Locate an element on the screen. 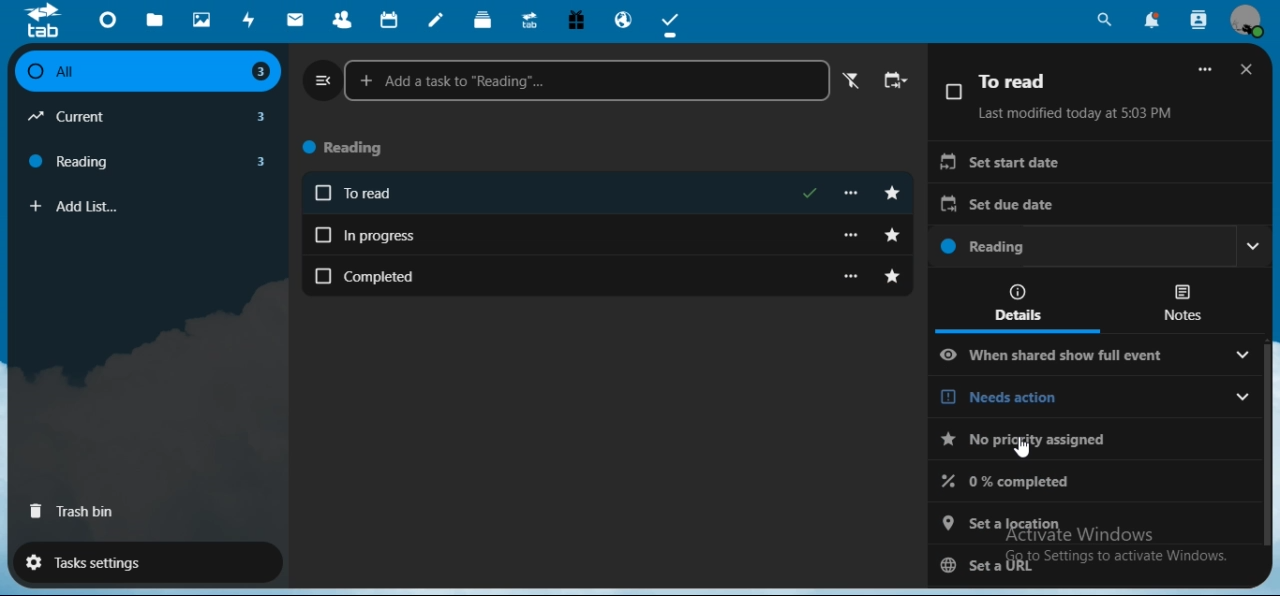 The width and height of the screenshot is (1280, 596). contacts is located at coordinates (339, 20).